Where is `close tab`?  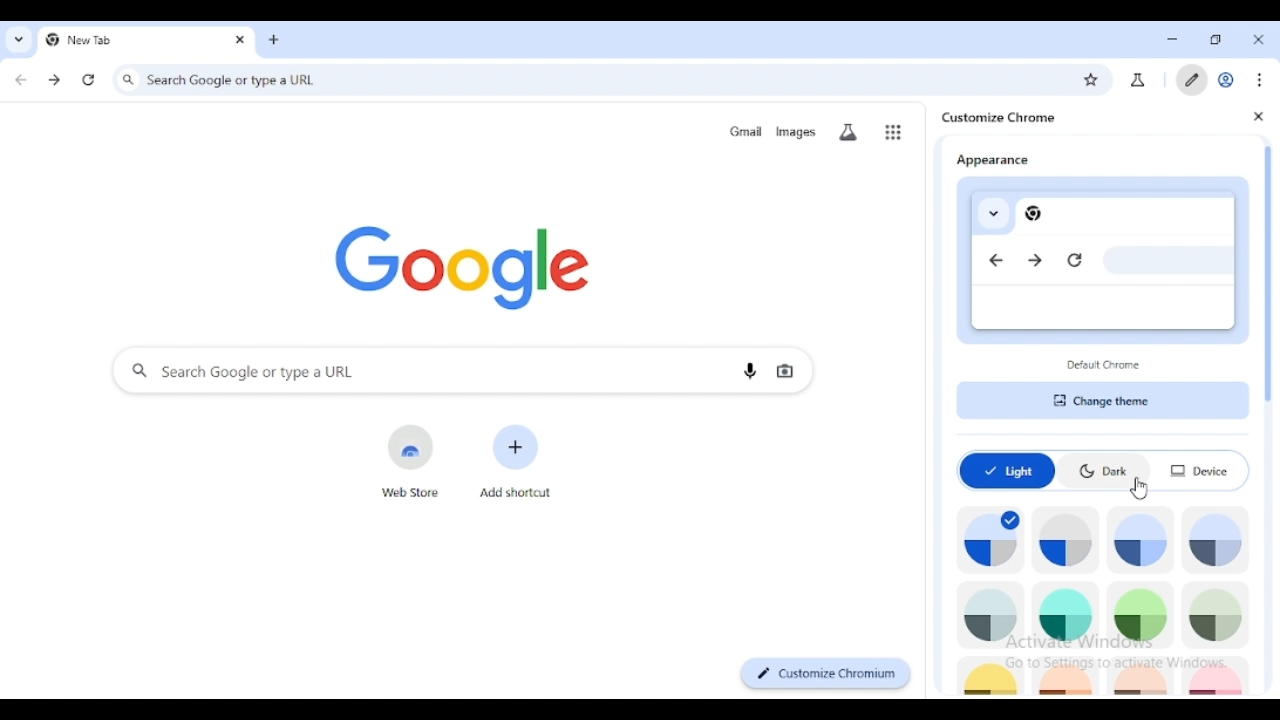
close tab is located at coordinates (240, 39).